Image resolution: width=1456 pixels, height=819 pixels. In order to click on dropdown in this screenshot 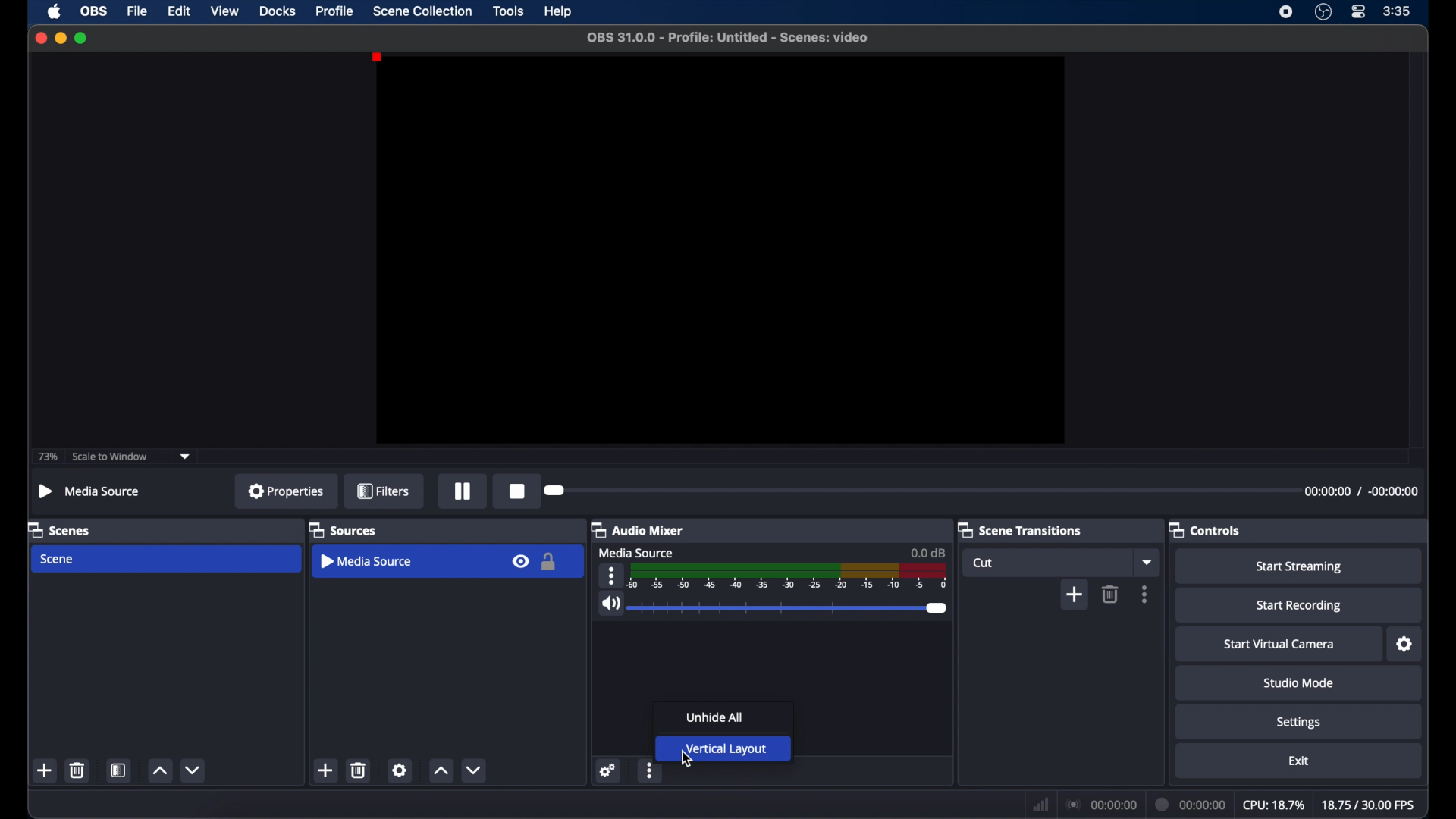, I will do `click(1147, 561)`.